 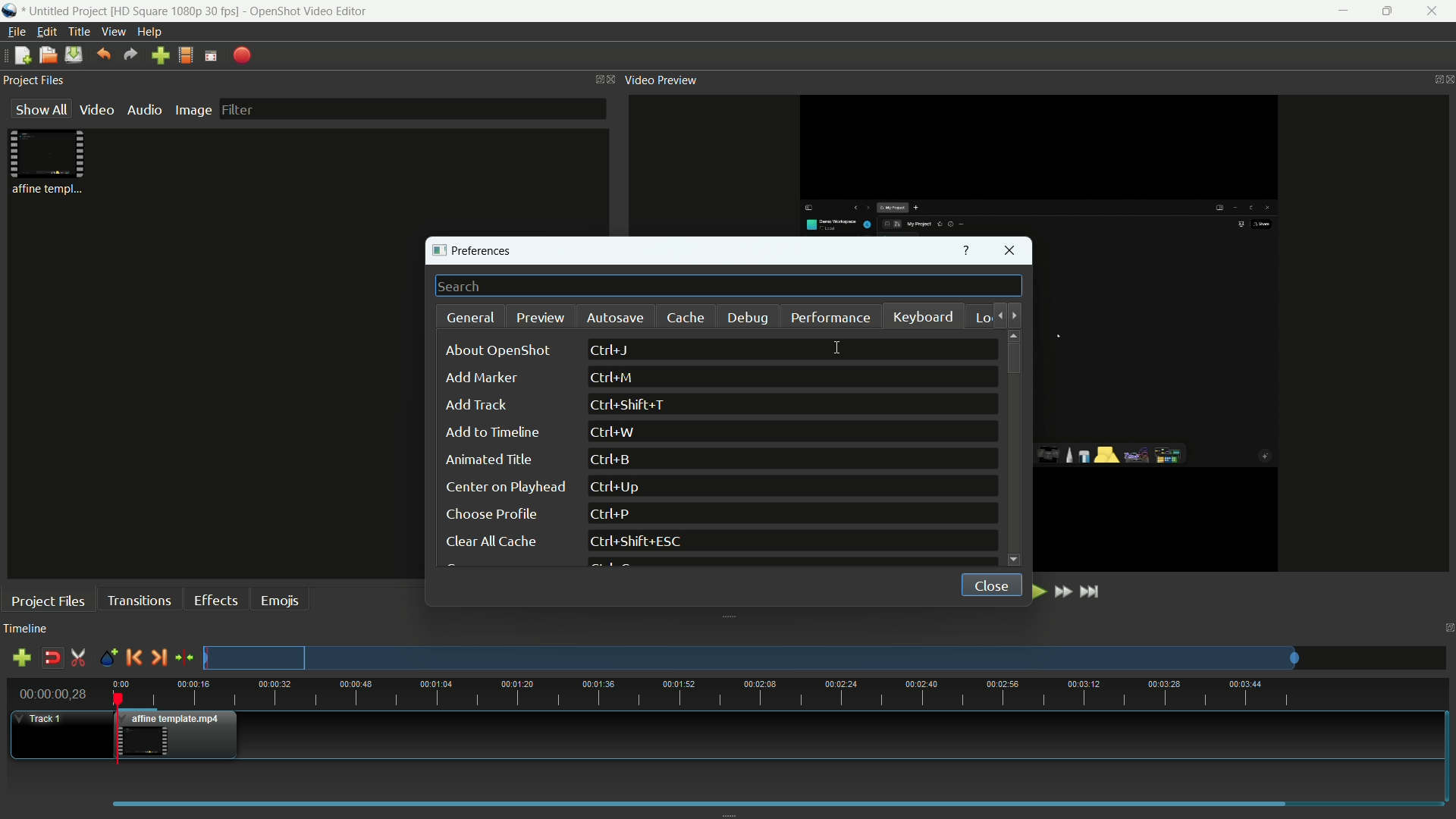 I want to click on close video preview, so click(x=1447, y=80).